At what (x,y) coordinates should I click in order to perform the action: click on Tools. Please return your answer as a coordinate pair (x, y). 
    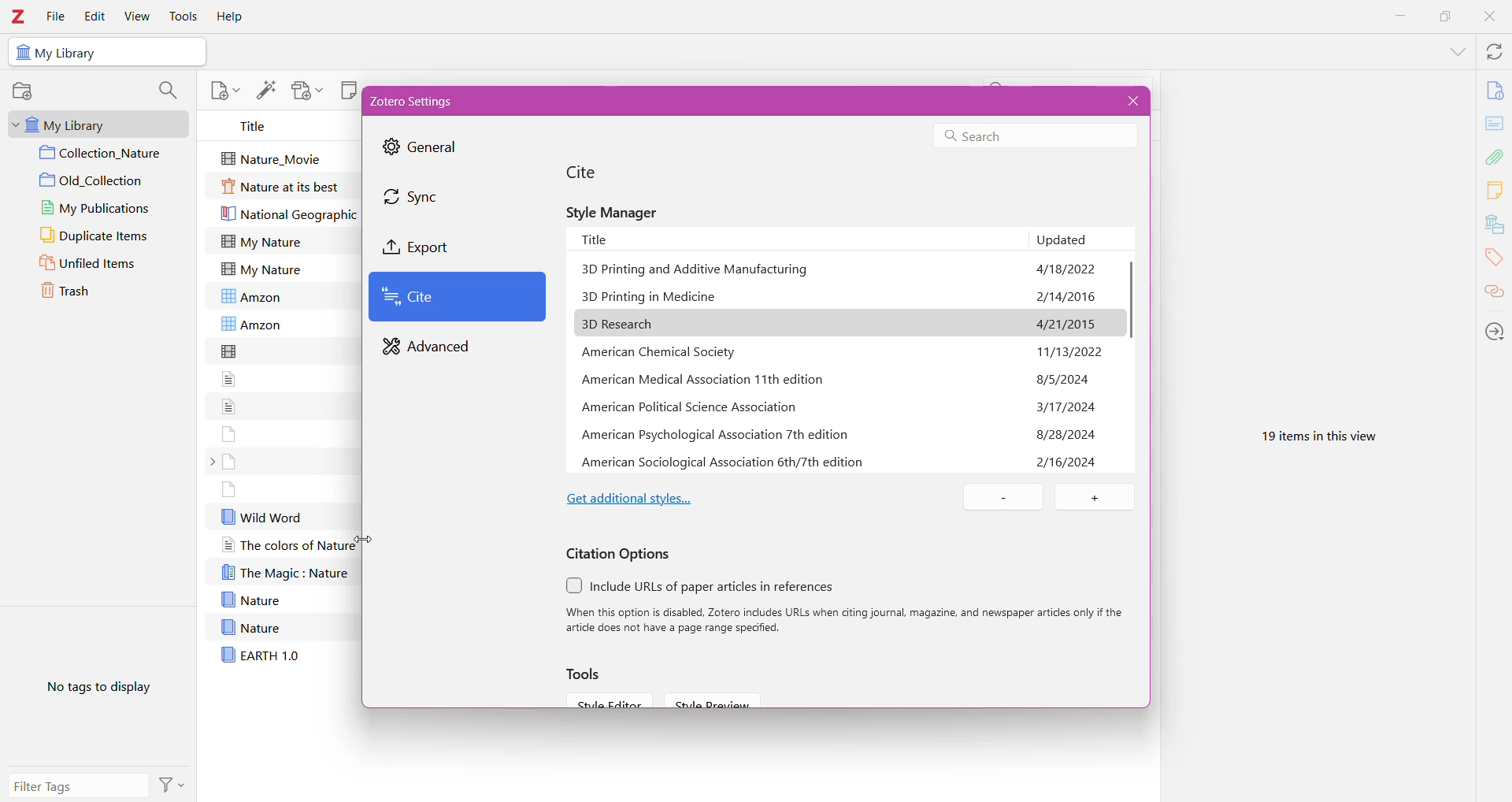
    Looking at the image, I should click on (183, 16).